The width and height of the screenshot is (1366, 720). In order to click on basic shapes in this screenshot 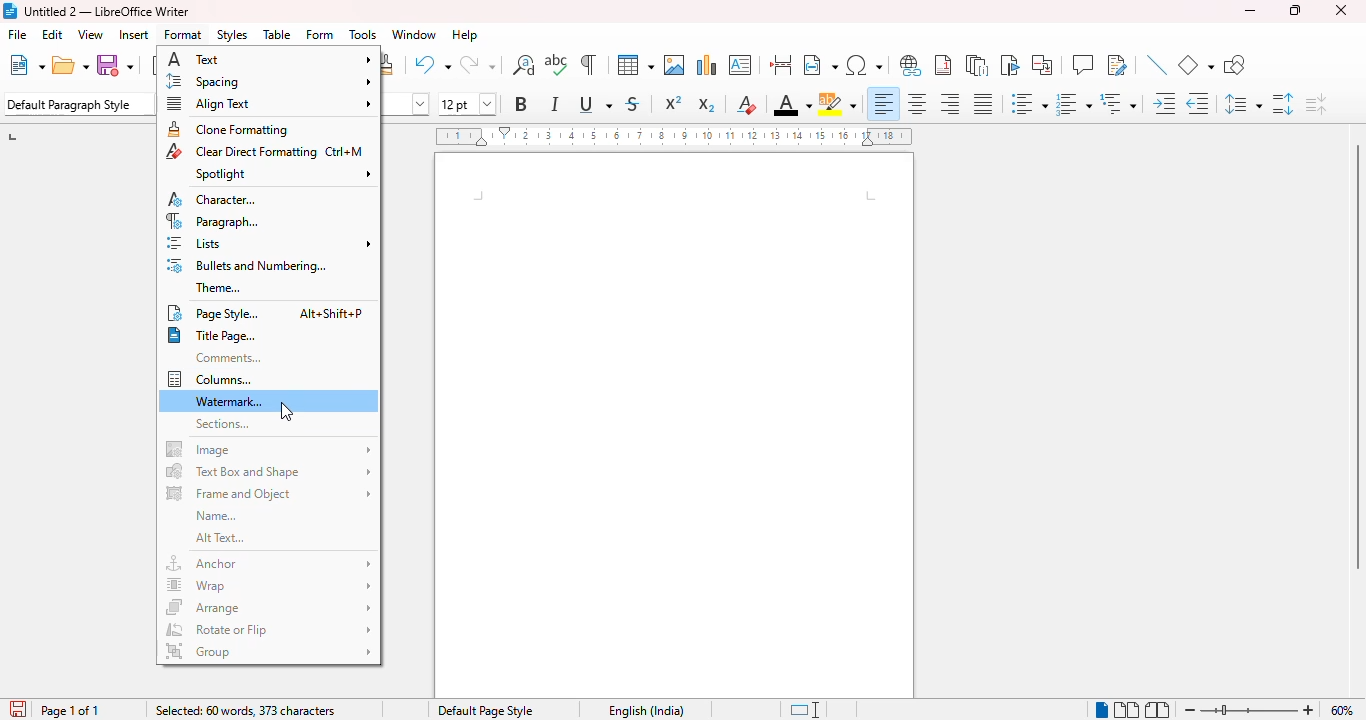, I will do `click(1195, 65)`.